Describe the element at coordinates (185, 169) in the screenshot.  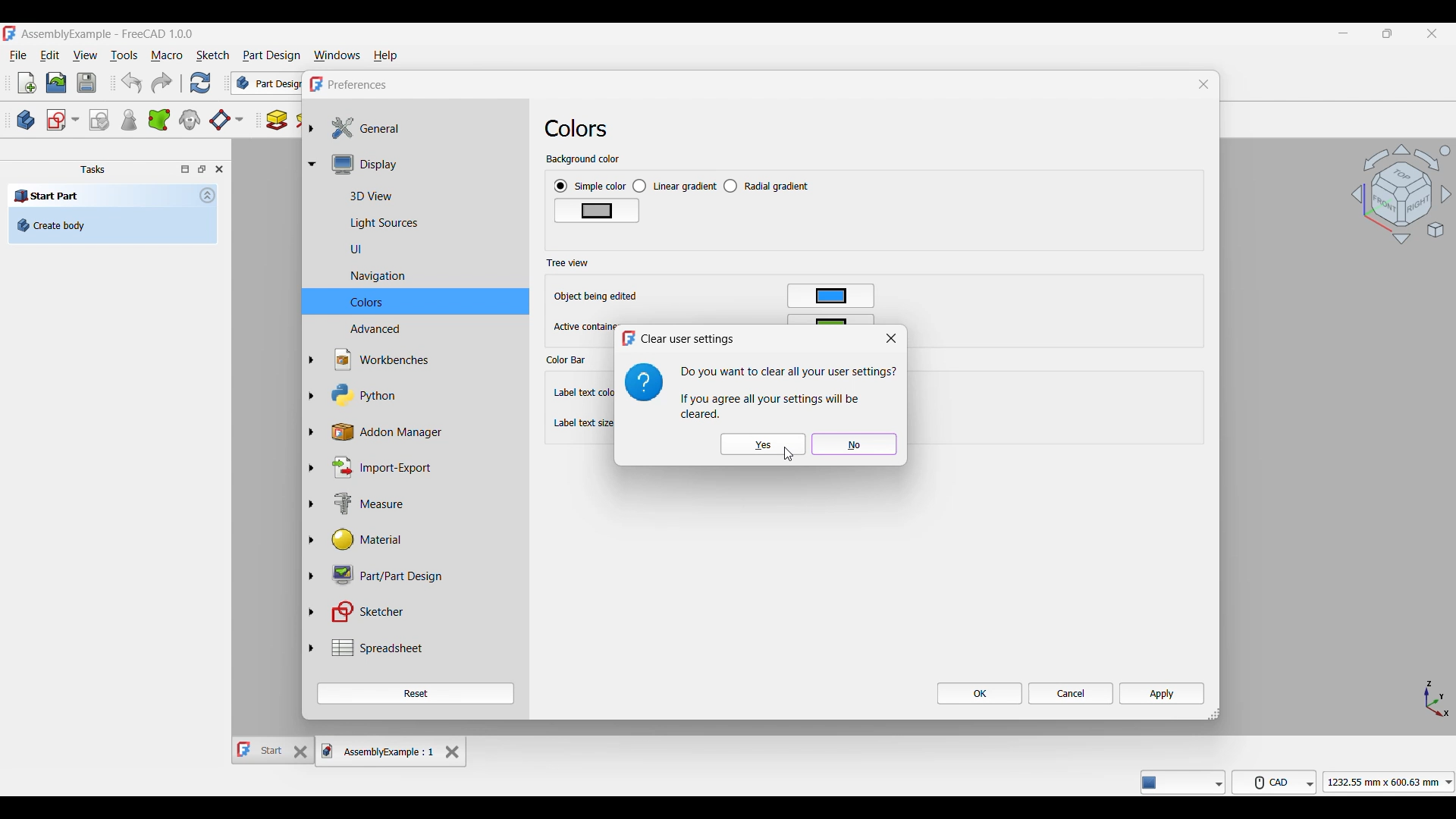
I see `Toggle overlay` at that location.